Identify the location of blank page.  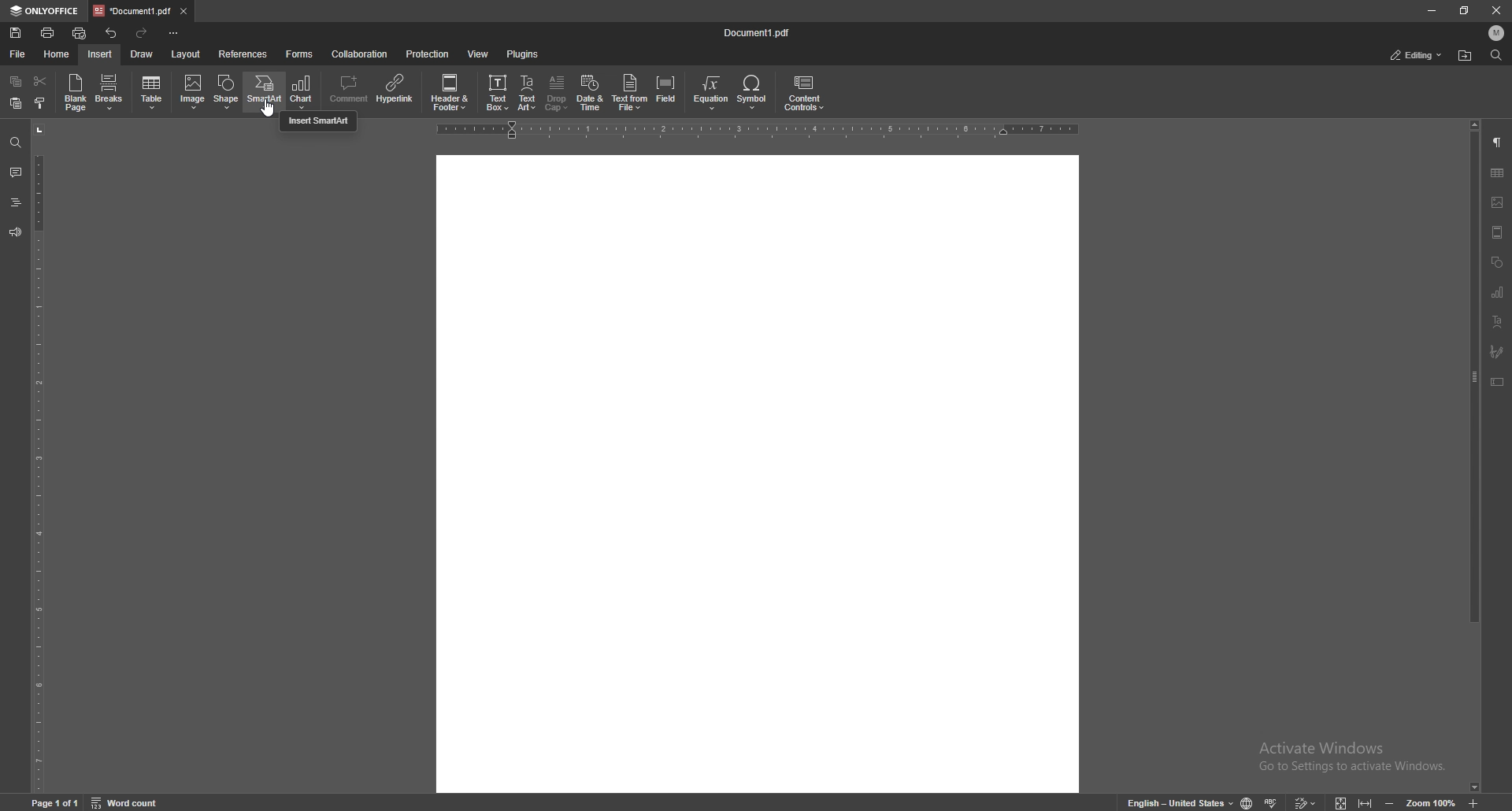
(76, 92).